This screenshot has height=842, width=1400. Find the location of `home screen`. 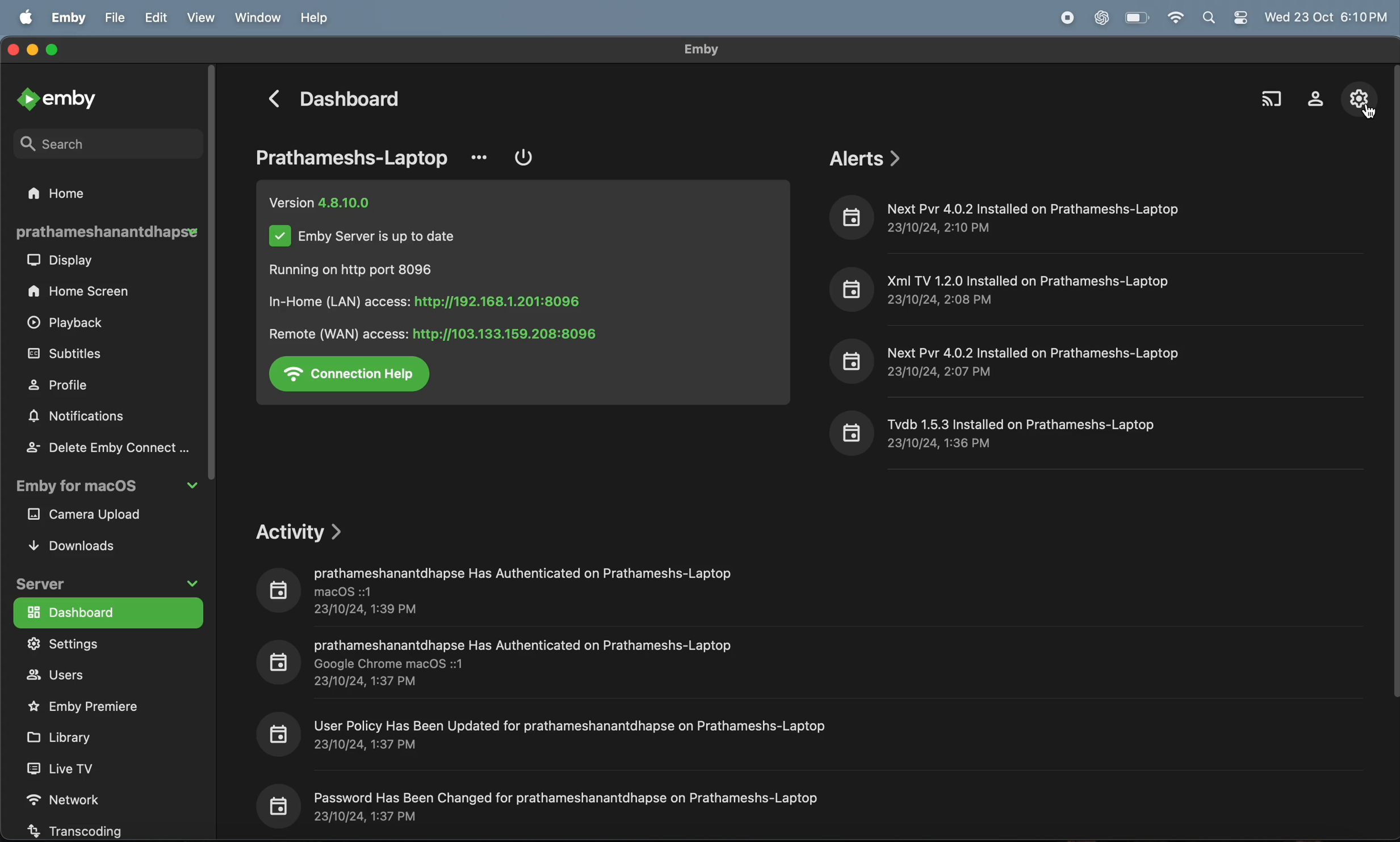

home screen is located at coordinates (80, 294).